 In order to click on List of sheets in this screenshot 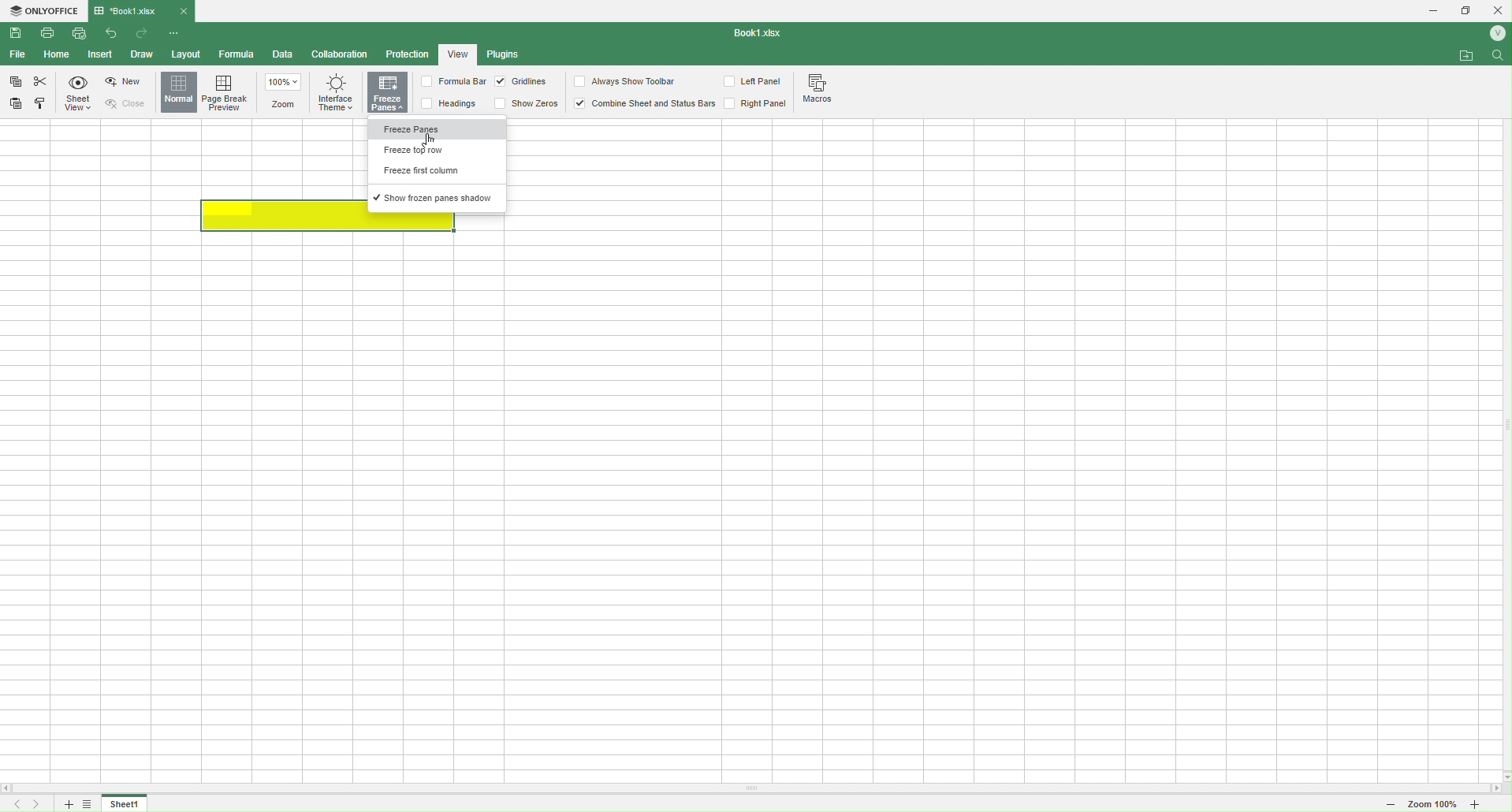, I will do `click(91, 804)`.